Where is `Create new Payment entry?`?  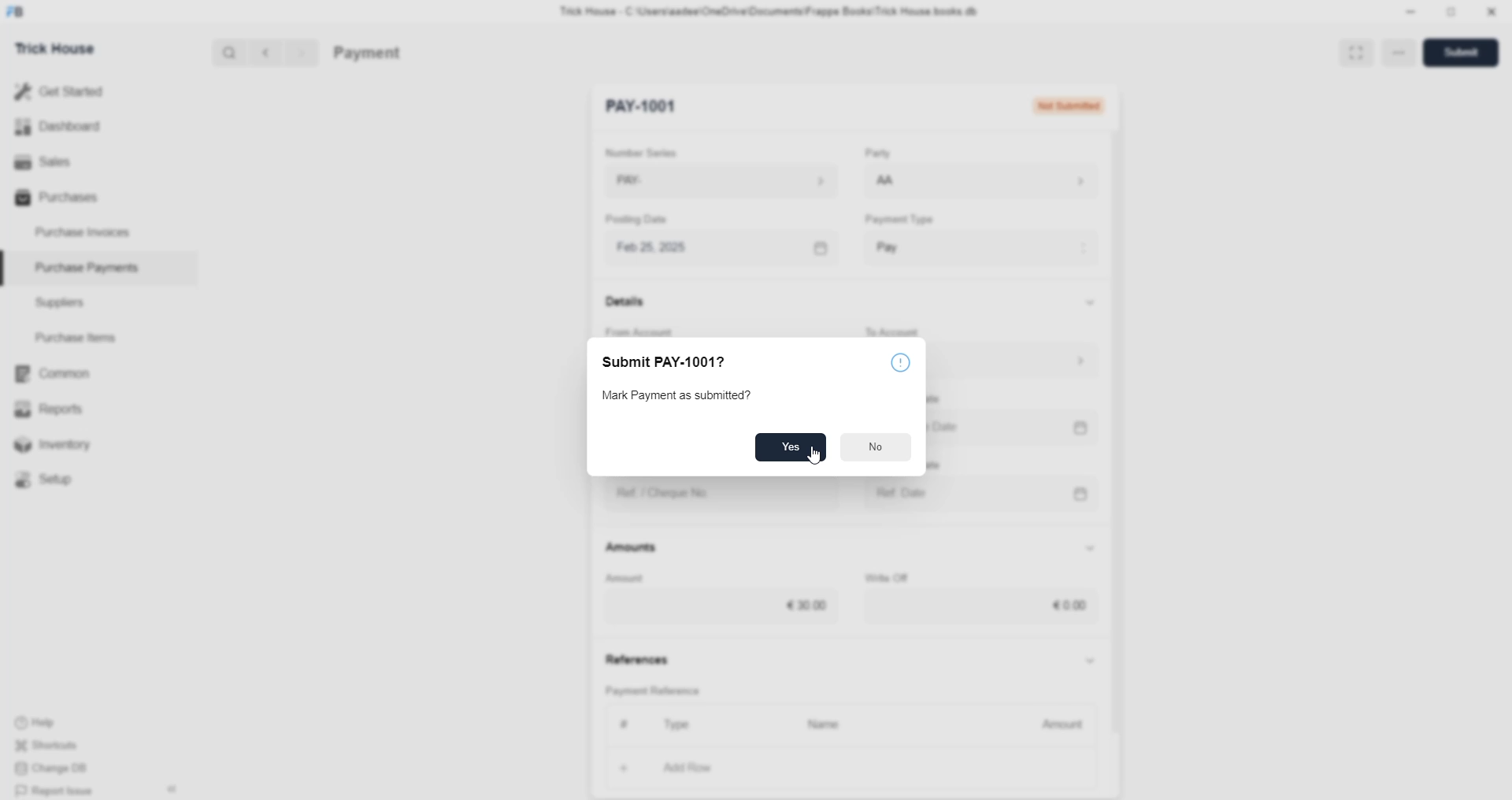 Create new Payment entry? is located at coordinates (680, 397).